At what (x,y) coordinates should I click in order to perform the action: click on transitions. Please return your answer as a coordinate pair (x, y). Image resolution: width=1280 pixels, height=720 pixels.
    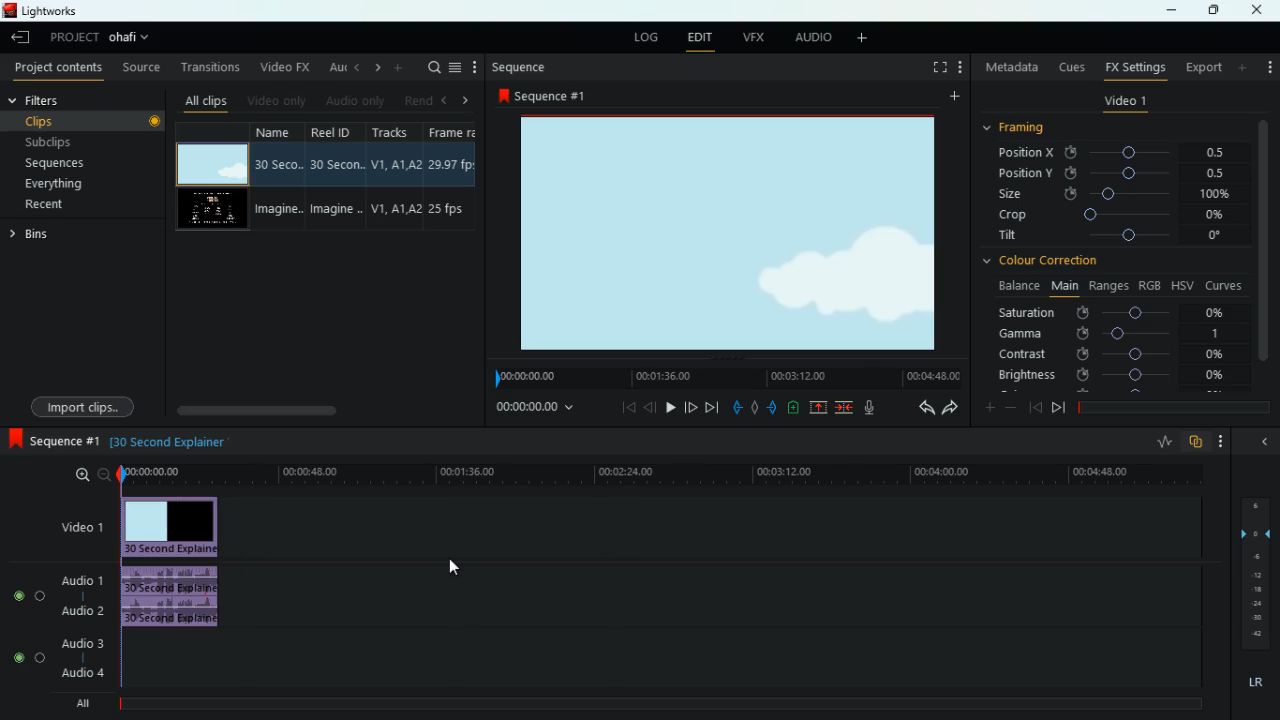
    Looking at the image, I should click on (207, 66).